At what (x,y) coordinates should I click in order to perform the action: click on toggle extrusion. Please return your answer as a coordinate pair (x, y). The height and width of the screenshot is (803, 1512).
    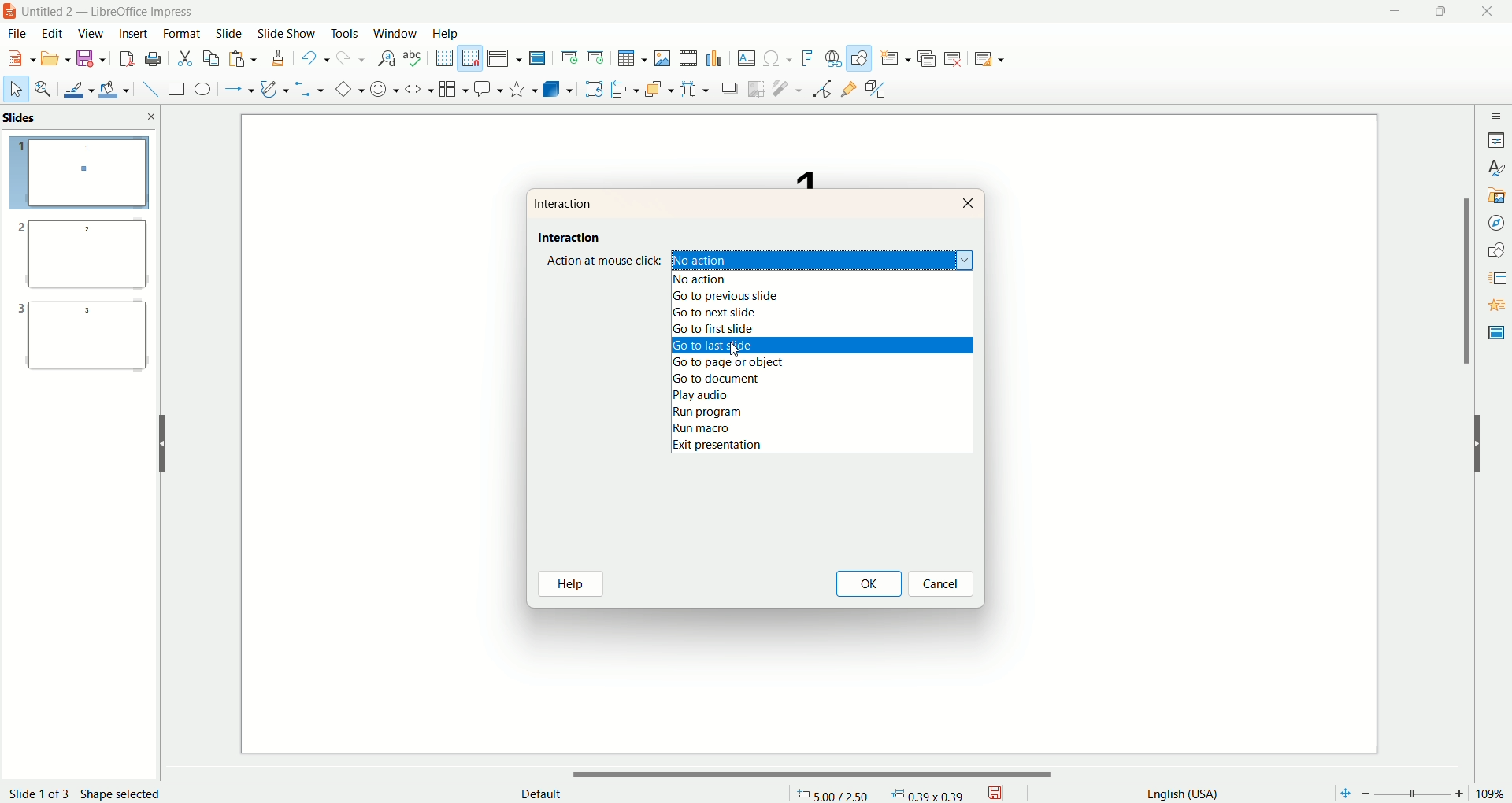
    Looking at the image, I should click on (879, 90).